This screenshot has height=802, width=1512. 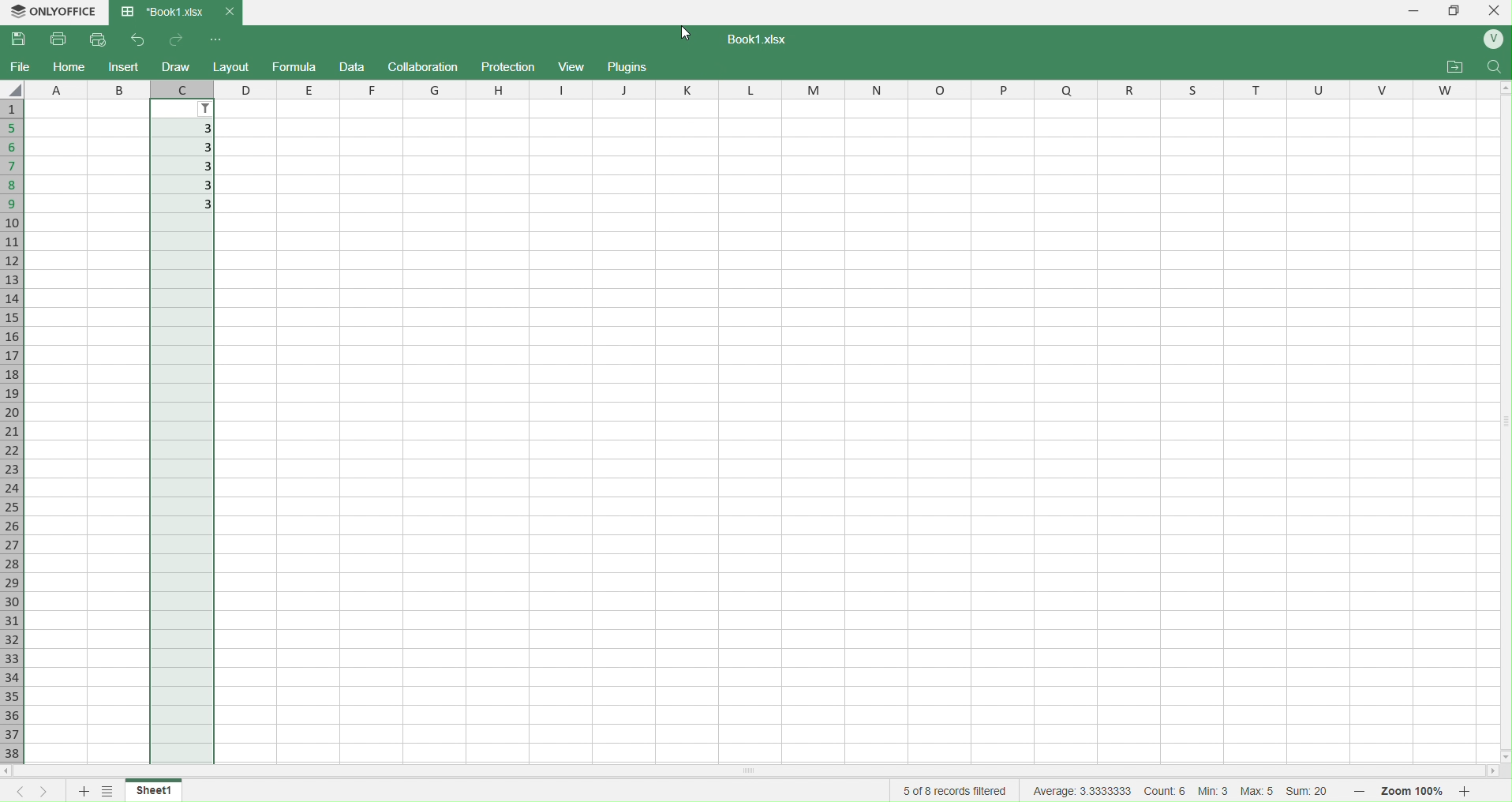 I want to click on Box, so click(x=1456, y=10).